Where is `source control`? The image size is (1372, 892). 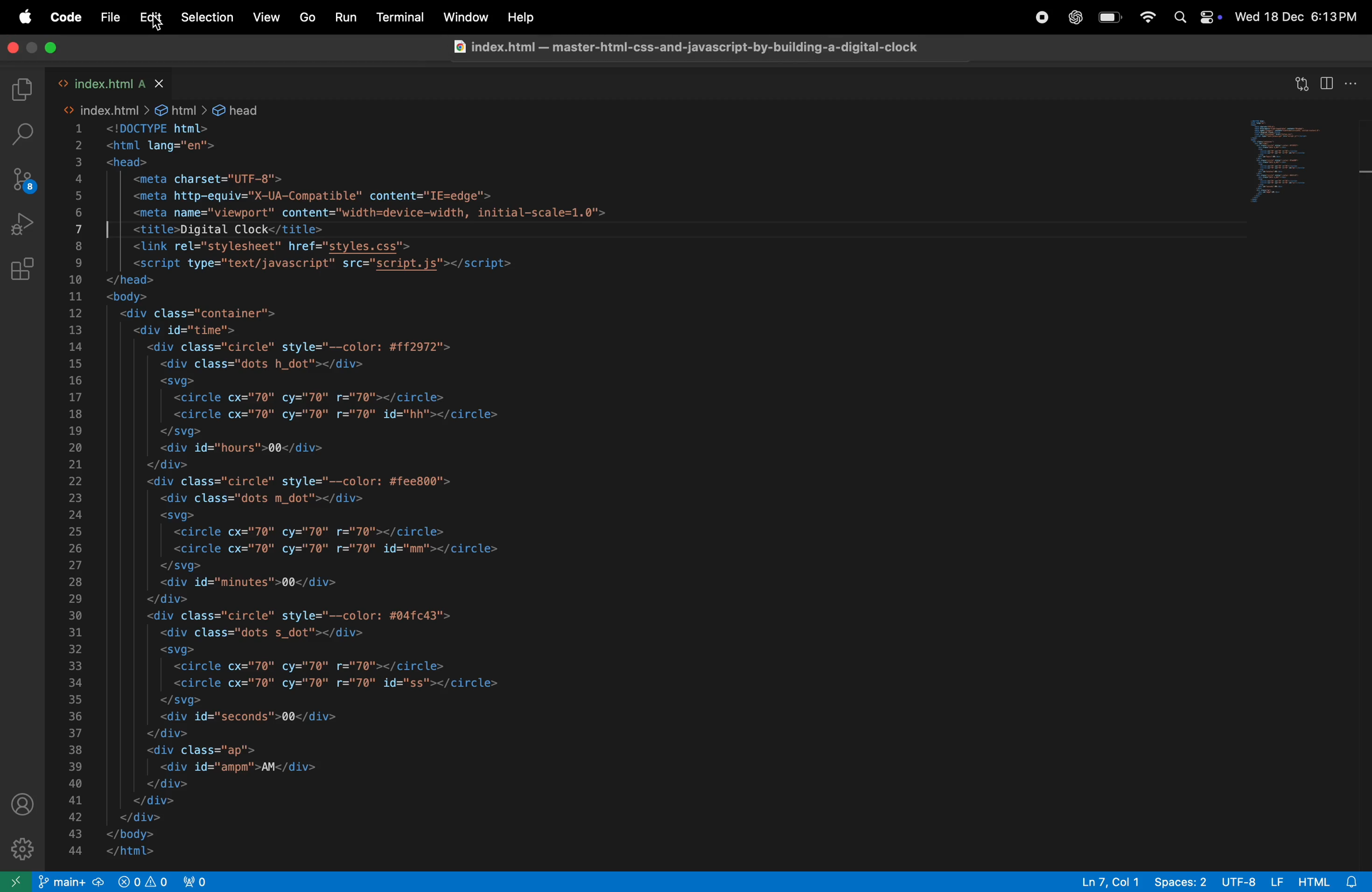
source control is located at coordinates (24, 181).